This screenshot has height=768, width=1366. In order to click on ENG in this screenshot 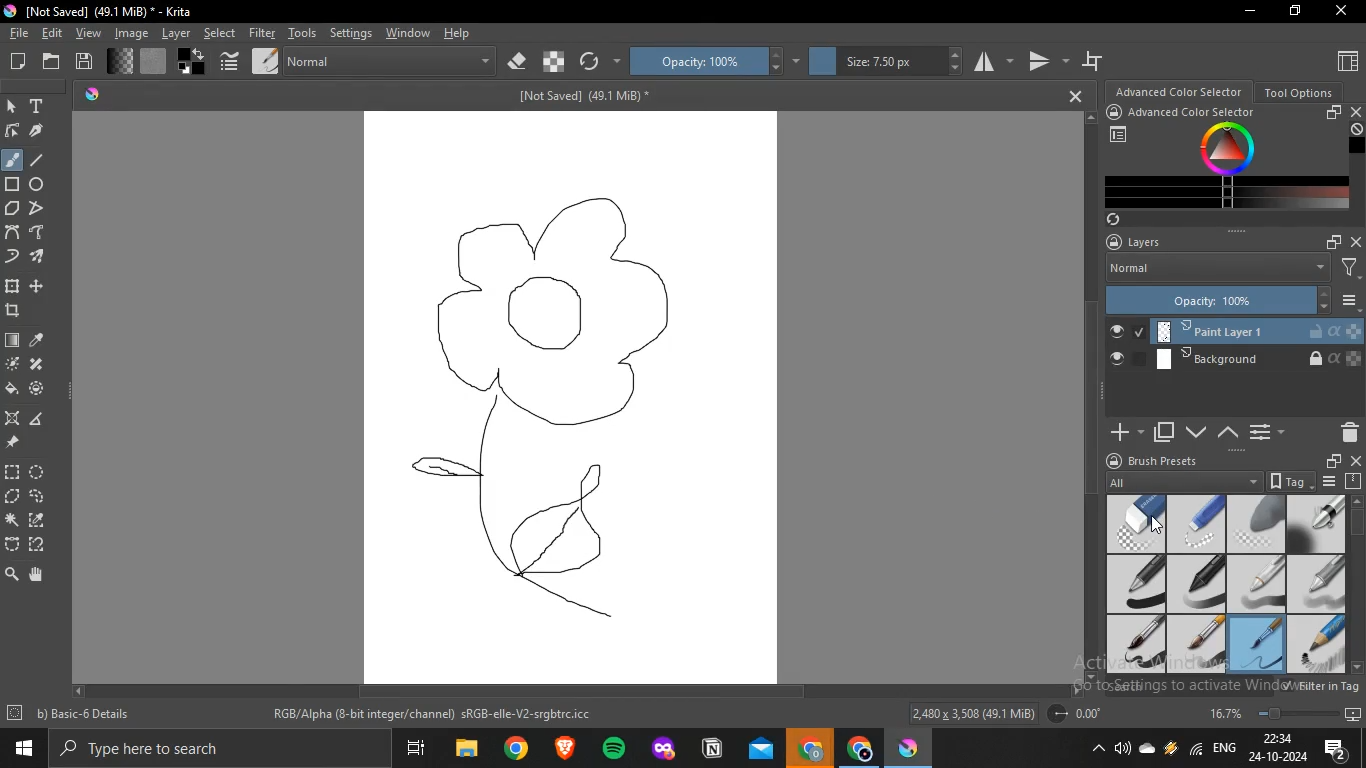, I will do `click(1223, 746)`.